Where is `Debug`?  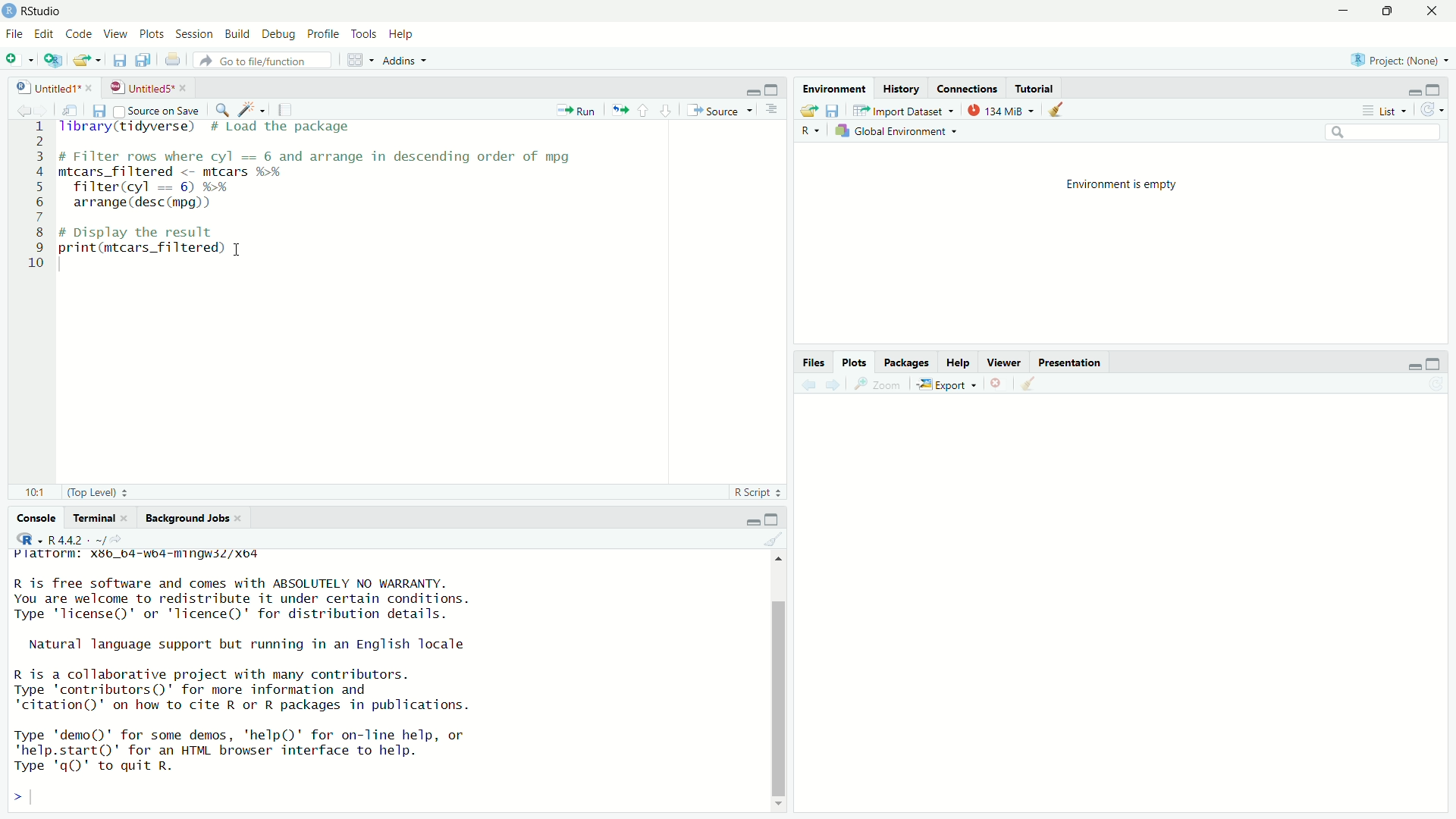 Debug is located at coordinates (279, 33).